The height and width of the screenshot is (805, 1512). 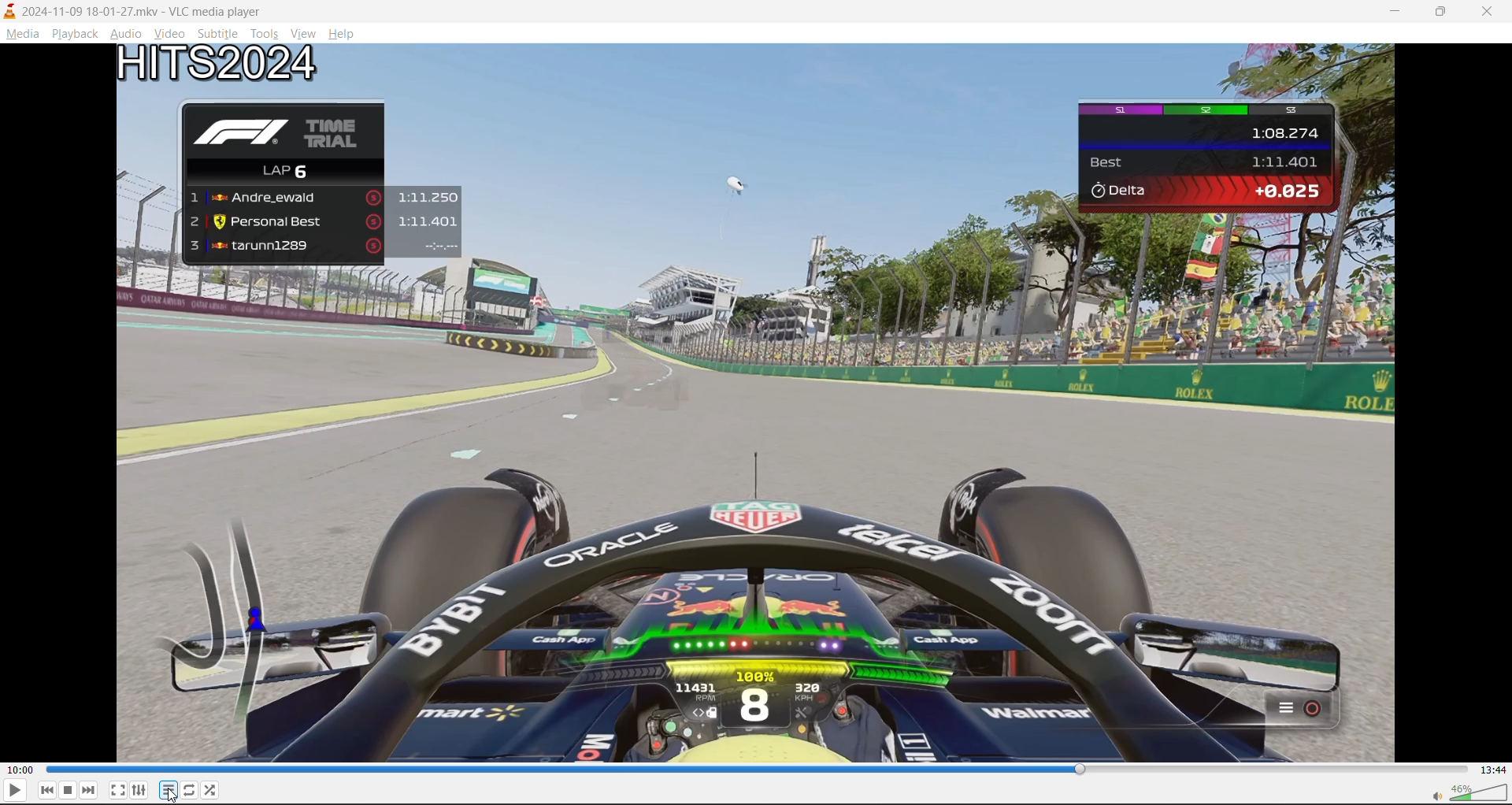 What do you see at coordinates (166, 789) in the screenshot?
I see `playlist` at bounding box center [166, 789].